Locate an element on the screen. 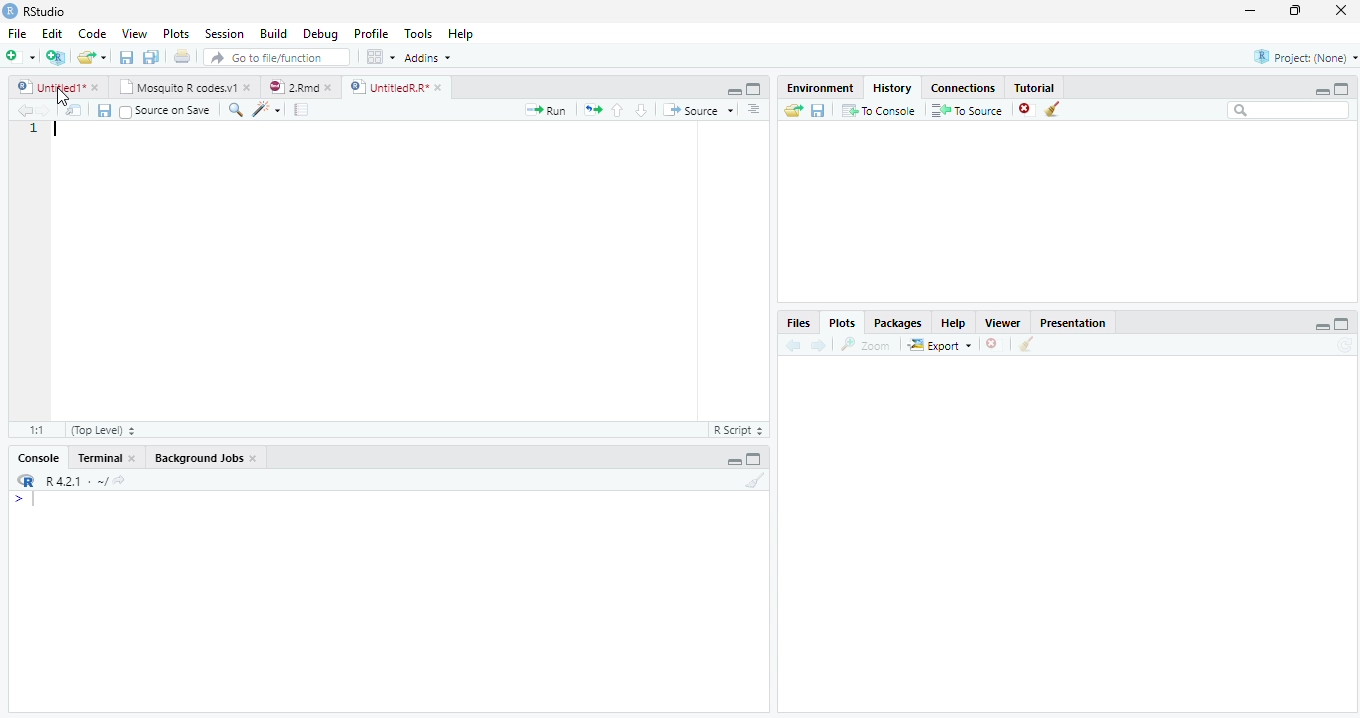 The image size is (1360, 718). Maximize is located at coordinates (1343, 88).